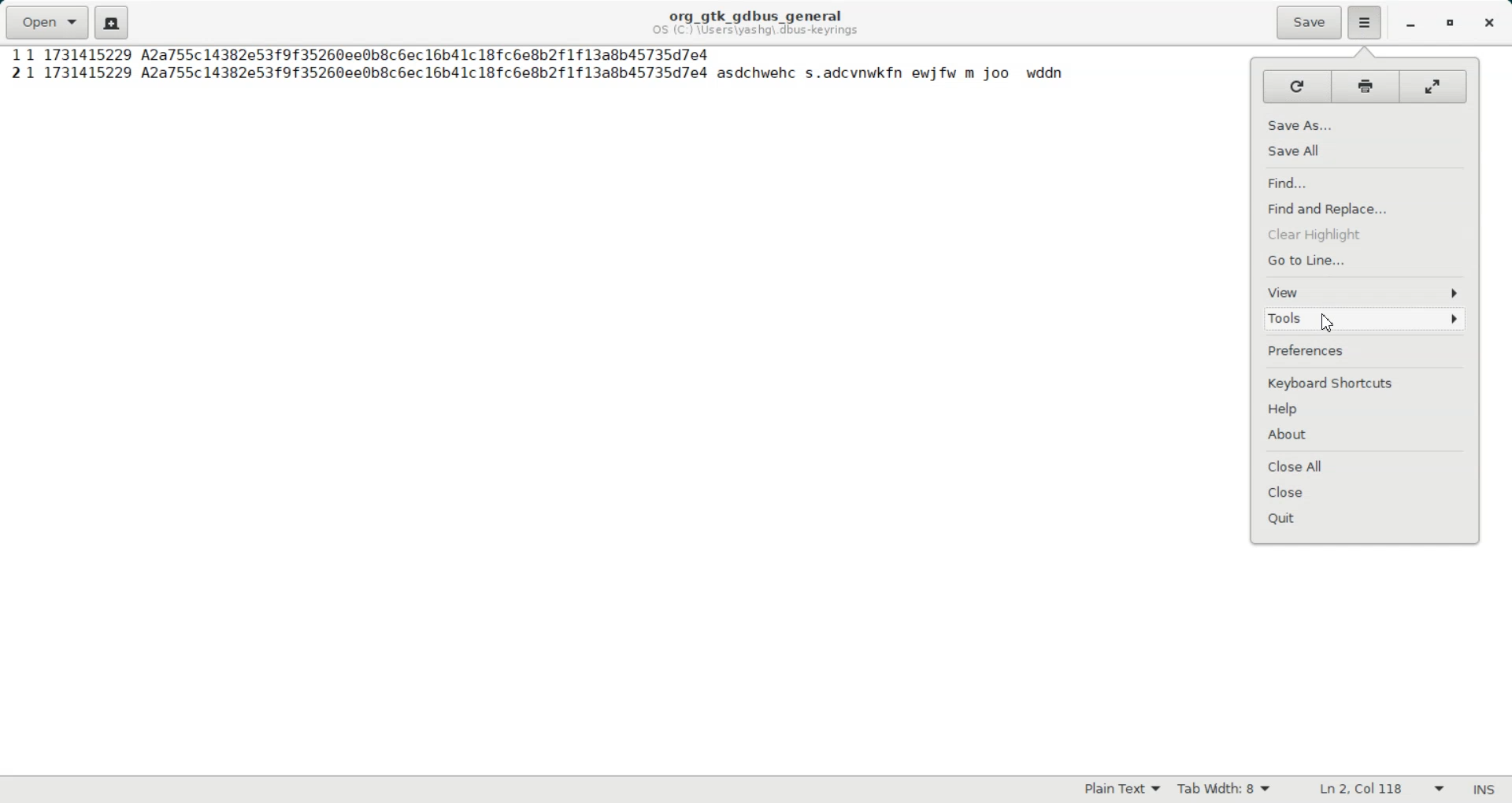 Image resolution: width=1512 pixels, height=803 pixels. Describe the element at coordinates (1436, 87) in the screenshot. I see `Full screen` at that location.